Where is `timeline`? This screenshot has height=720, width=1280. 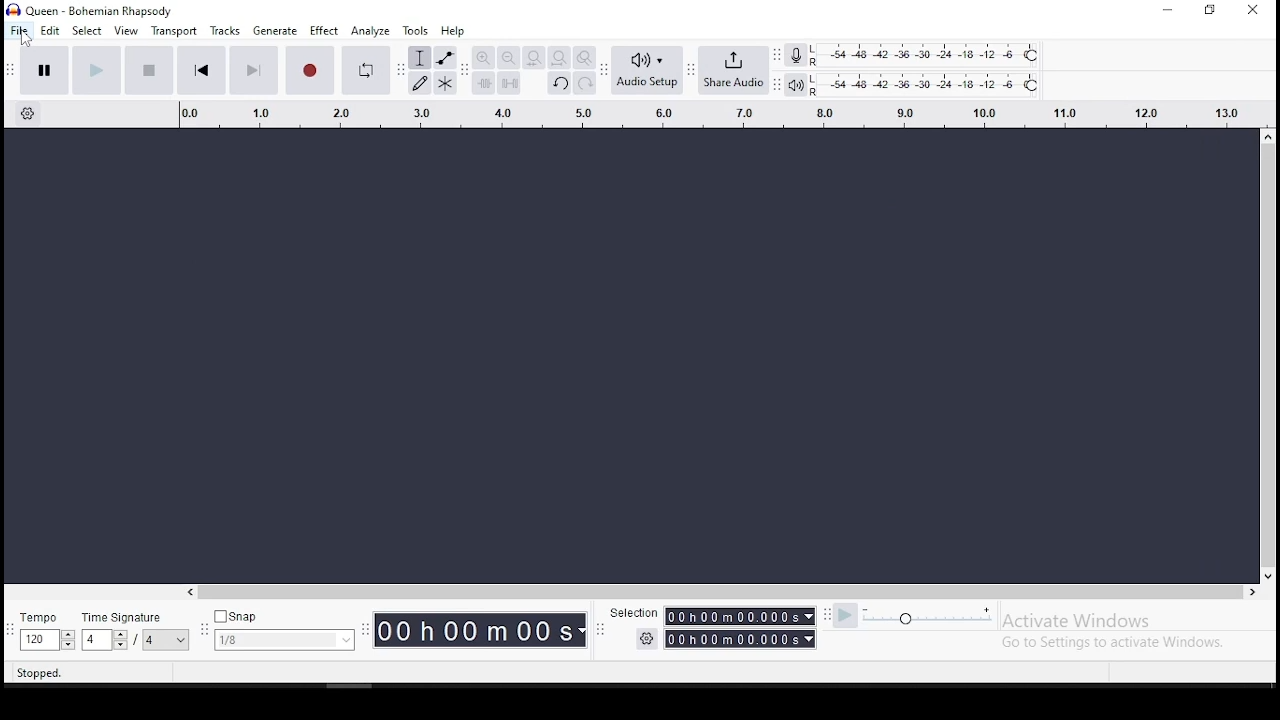 timeline is located at coordinates (710, 113).